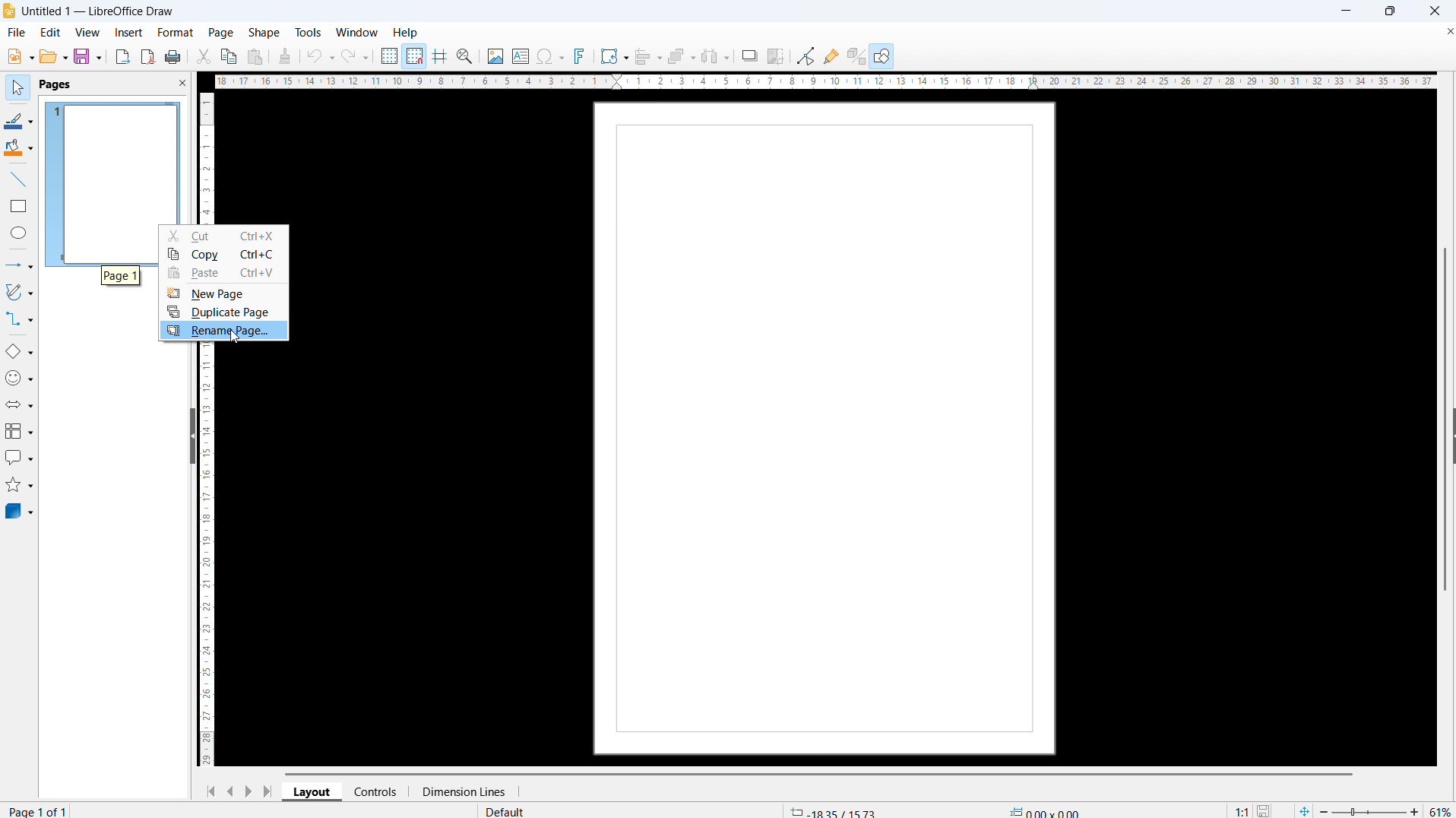 This screenshot has height=818, width=1456. I want to click on previous page, so click(229, 791).